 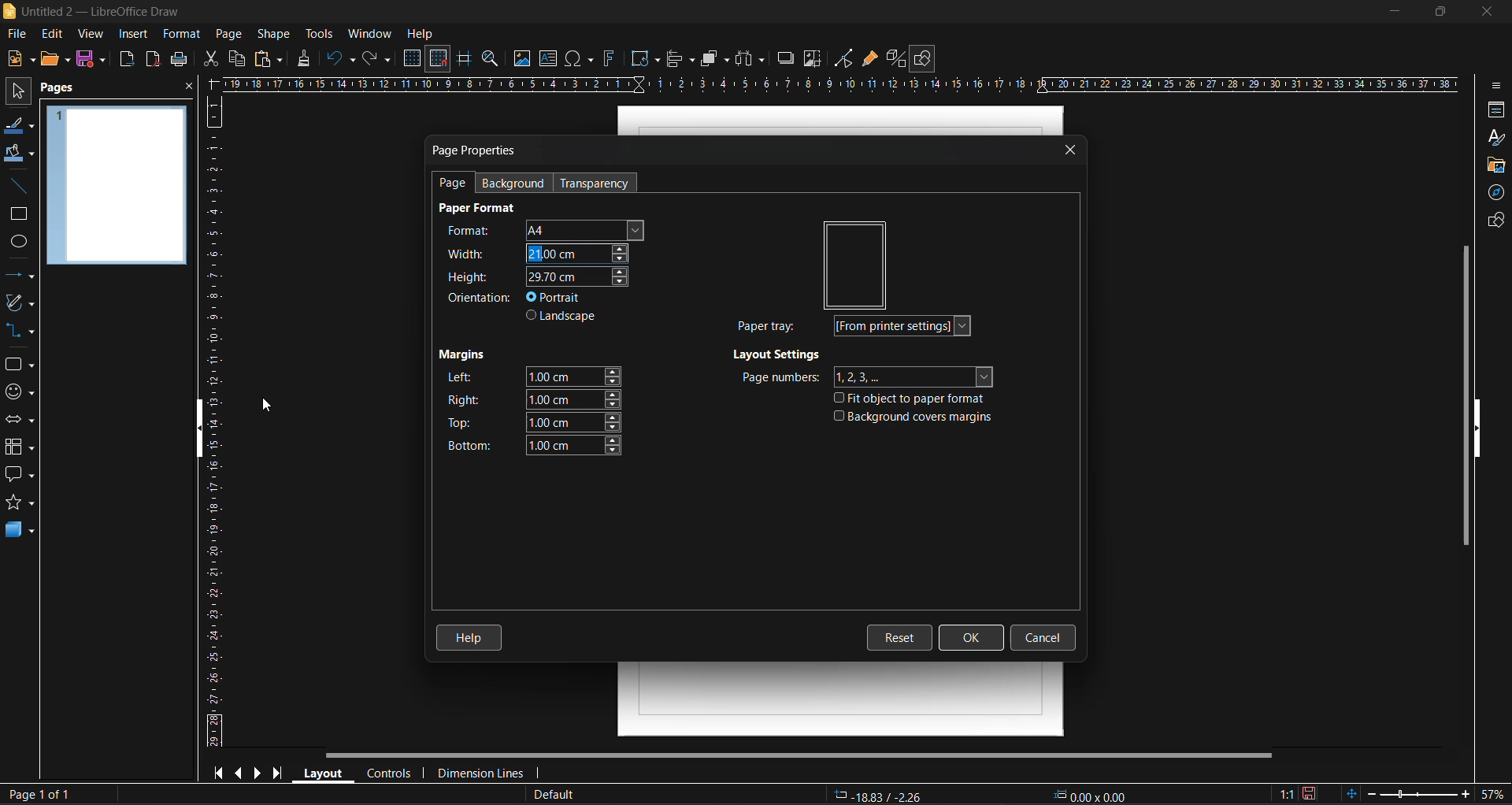 What do you see at coordinates (520, 59) in the screenshot?
I see `image` at bounding box center [520, 59].